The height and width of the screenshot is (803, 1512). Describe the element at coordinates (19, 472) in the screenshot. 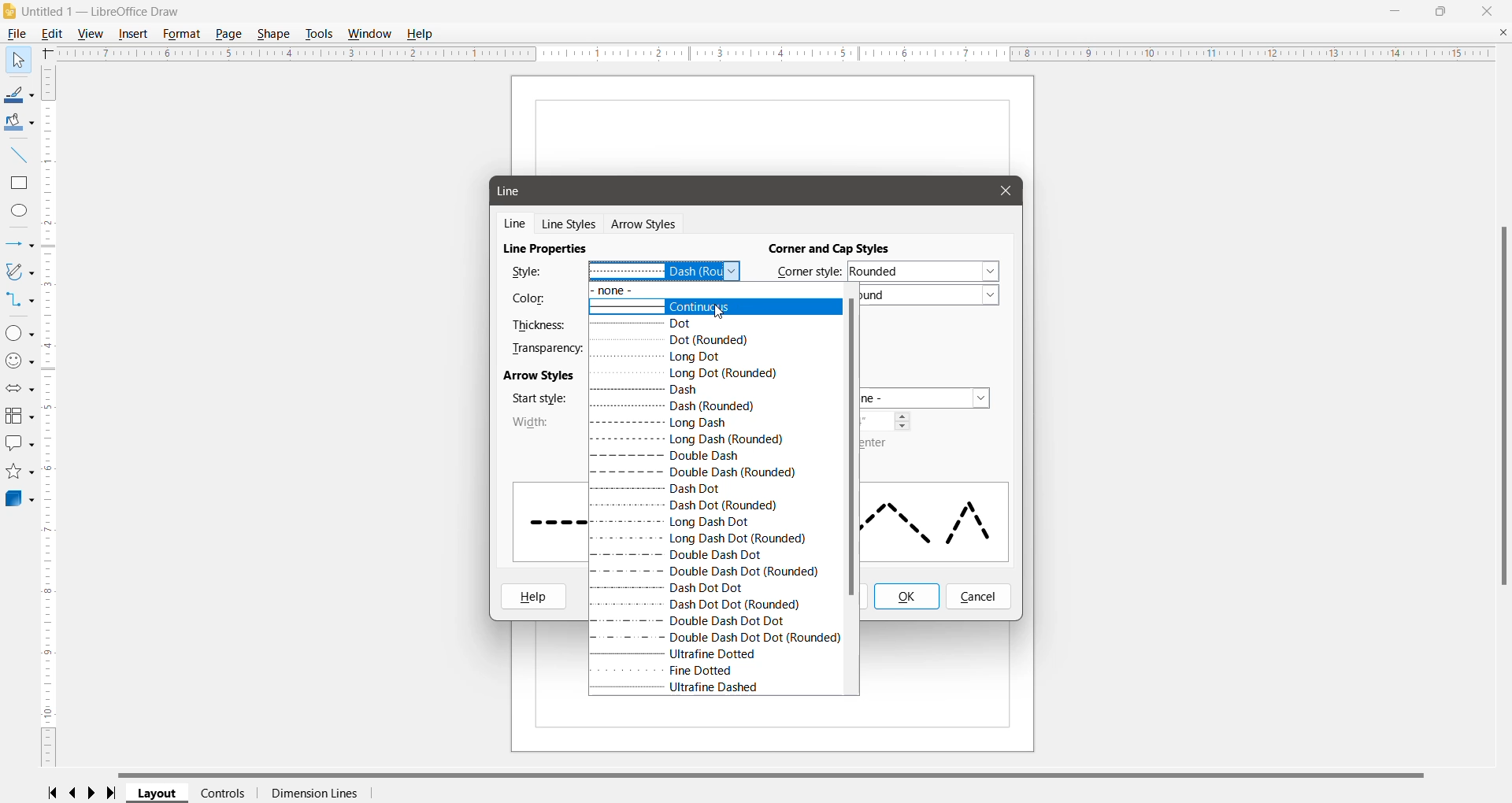

I see `Stars and Banners` at that location.